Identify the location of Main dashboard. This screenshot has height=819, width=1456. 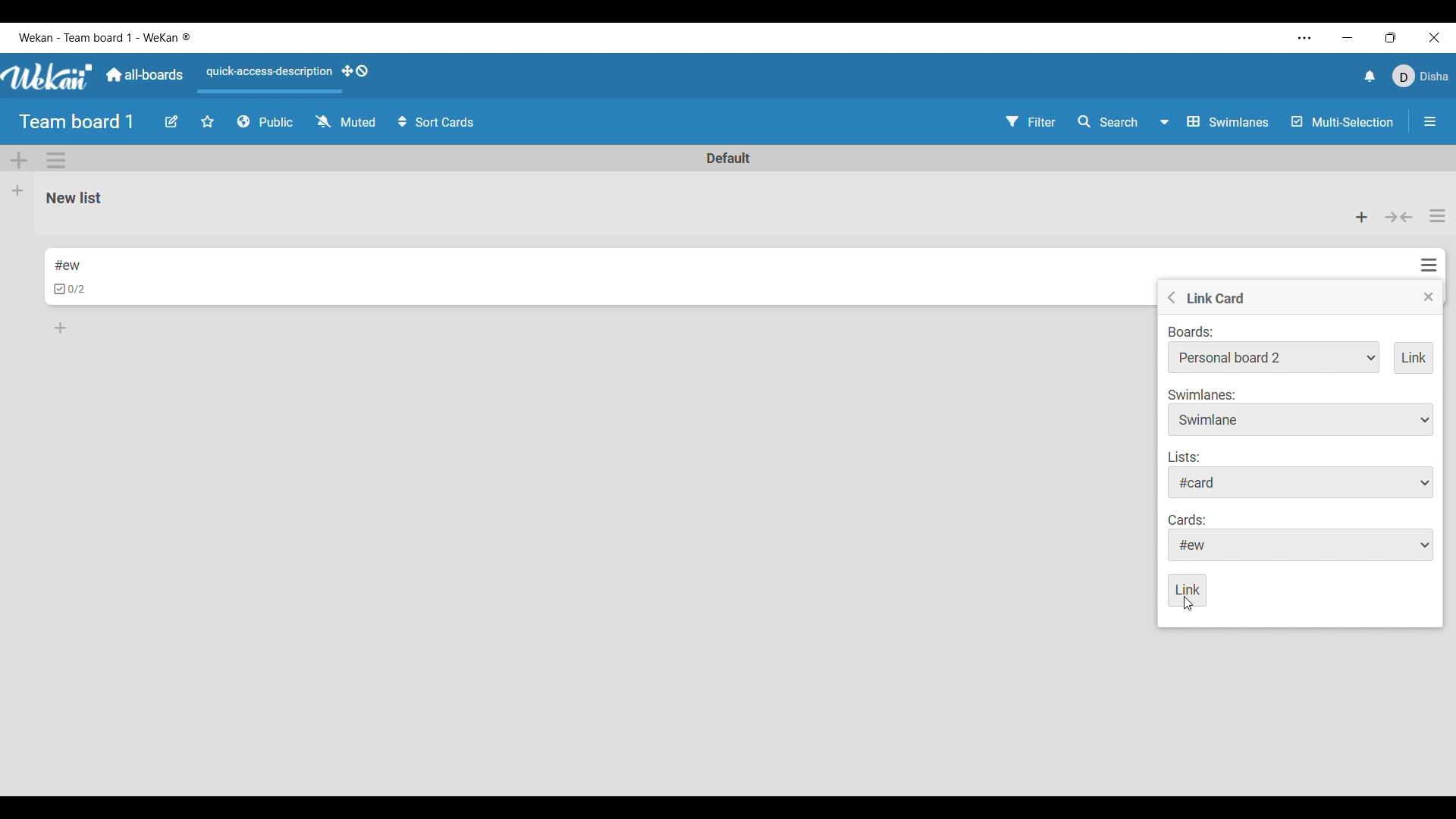
(145, 75).